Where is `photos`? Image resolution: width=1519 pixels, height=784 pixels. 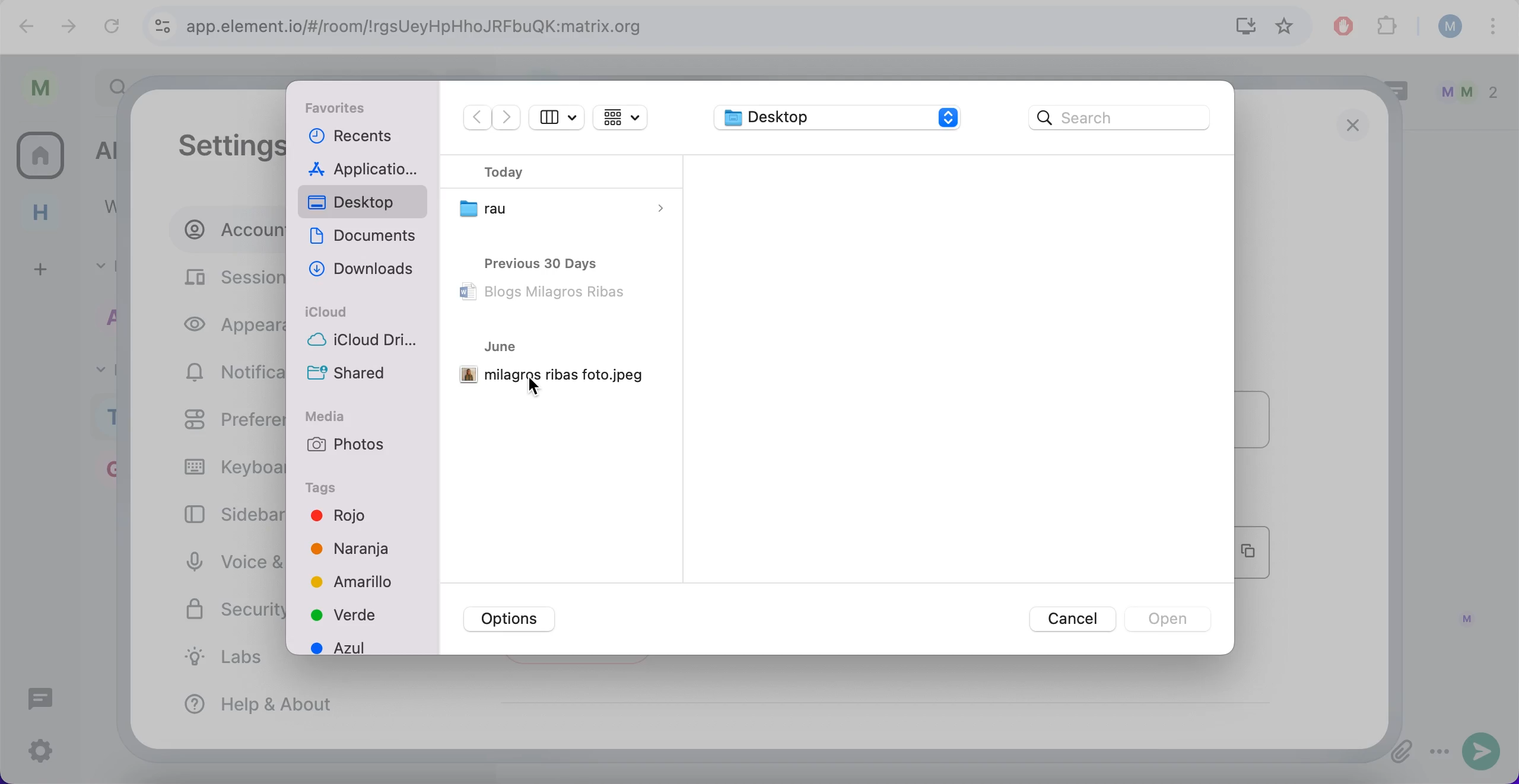
photos is located at coordinates (358, 448).